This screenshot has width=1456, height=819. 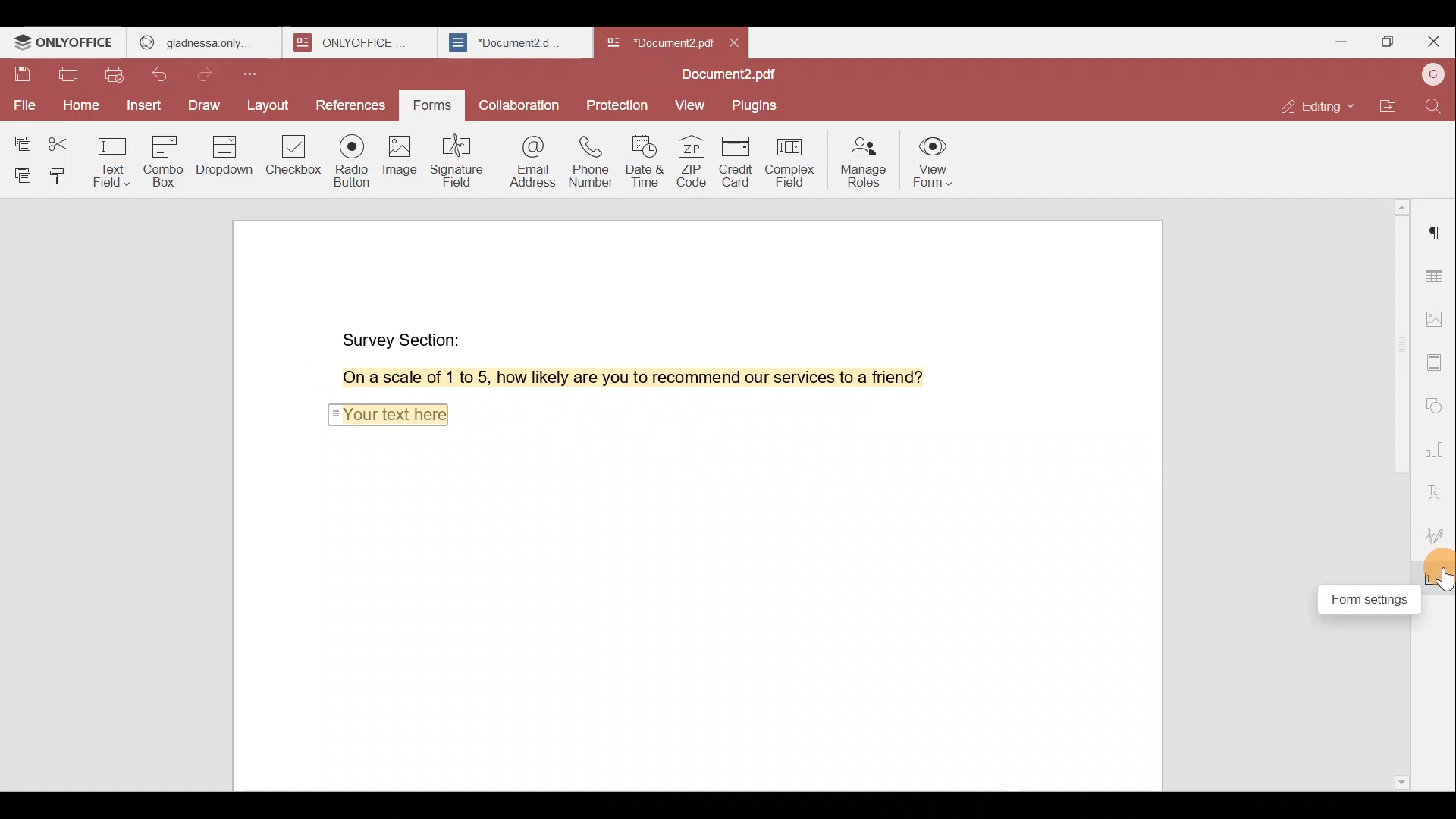 What do you see at coordinates (1389, 108) in the screenshot?
I see `Open file location` at bounding box center [1389, 108].